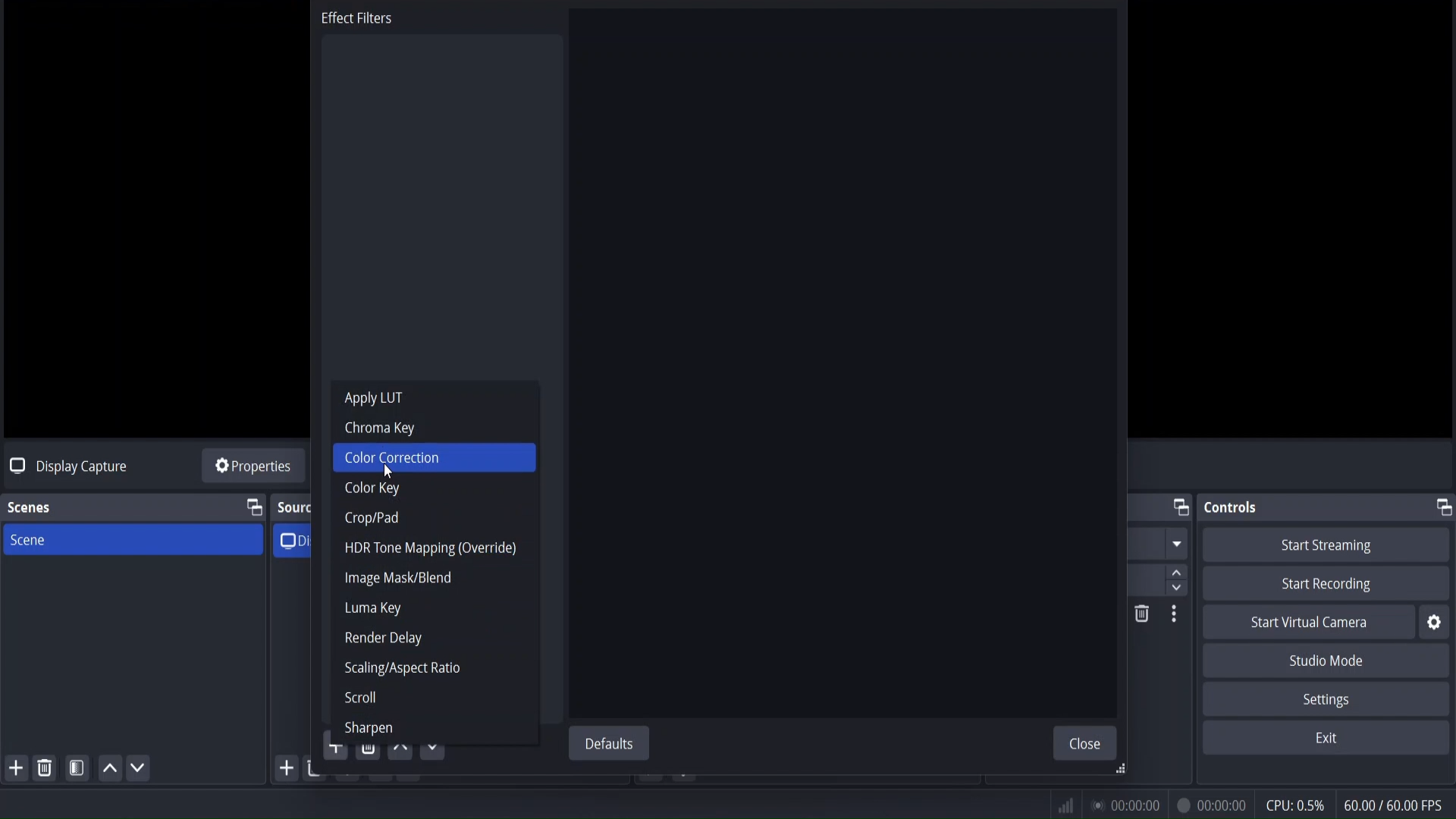  What do you see at coordinates (372, 609) in the screenshot?
I see `luma key` at bounding box center [372, 609].